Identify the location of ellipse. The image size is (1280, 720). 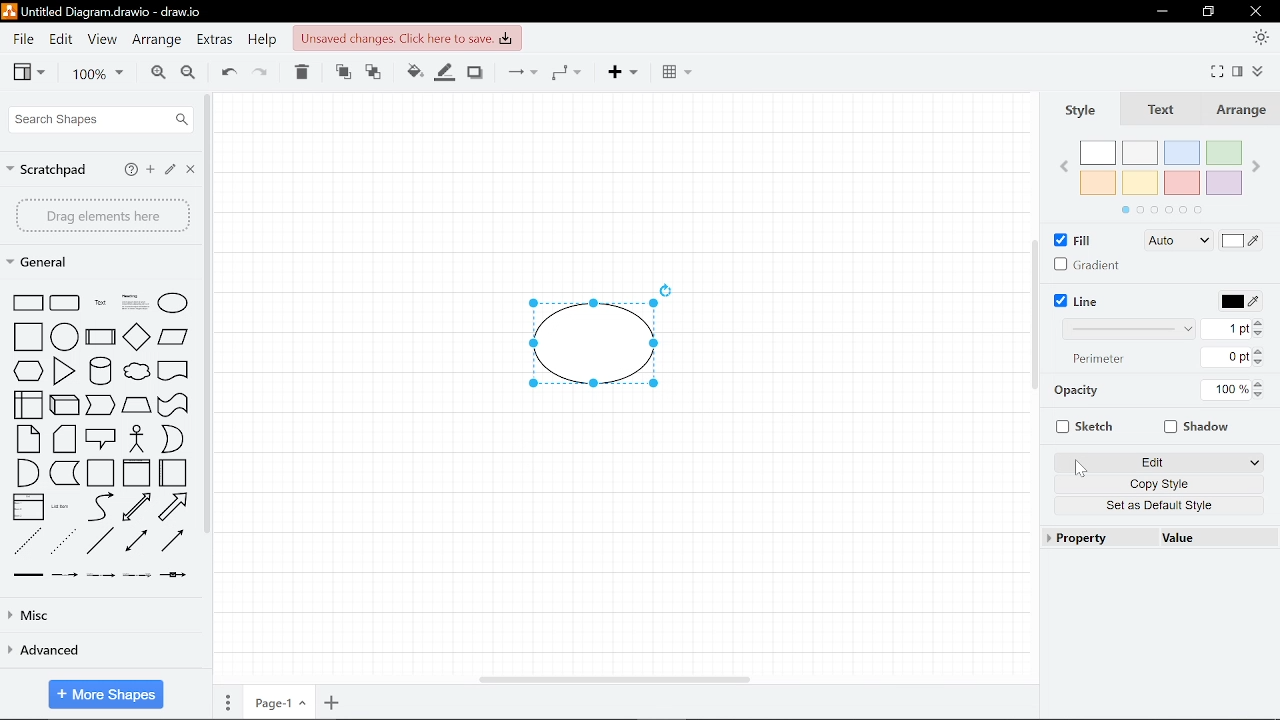
(175, 303).